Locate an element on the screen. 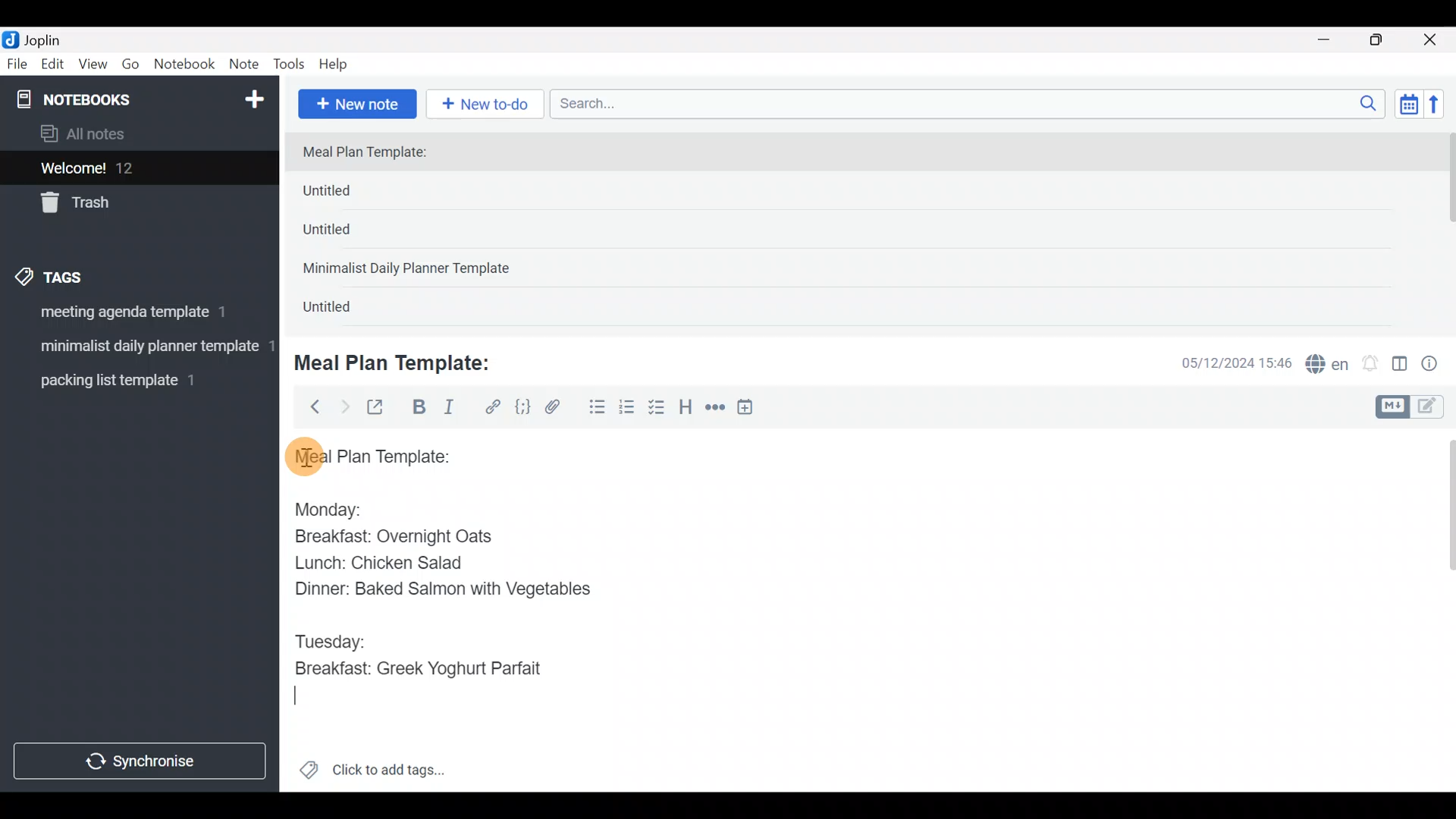 The image size is (1456, 819). All notes is located at coordinates (136, 135).